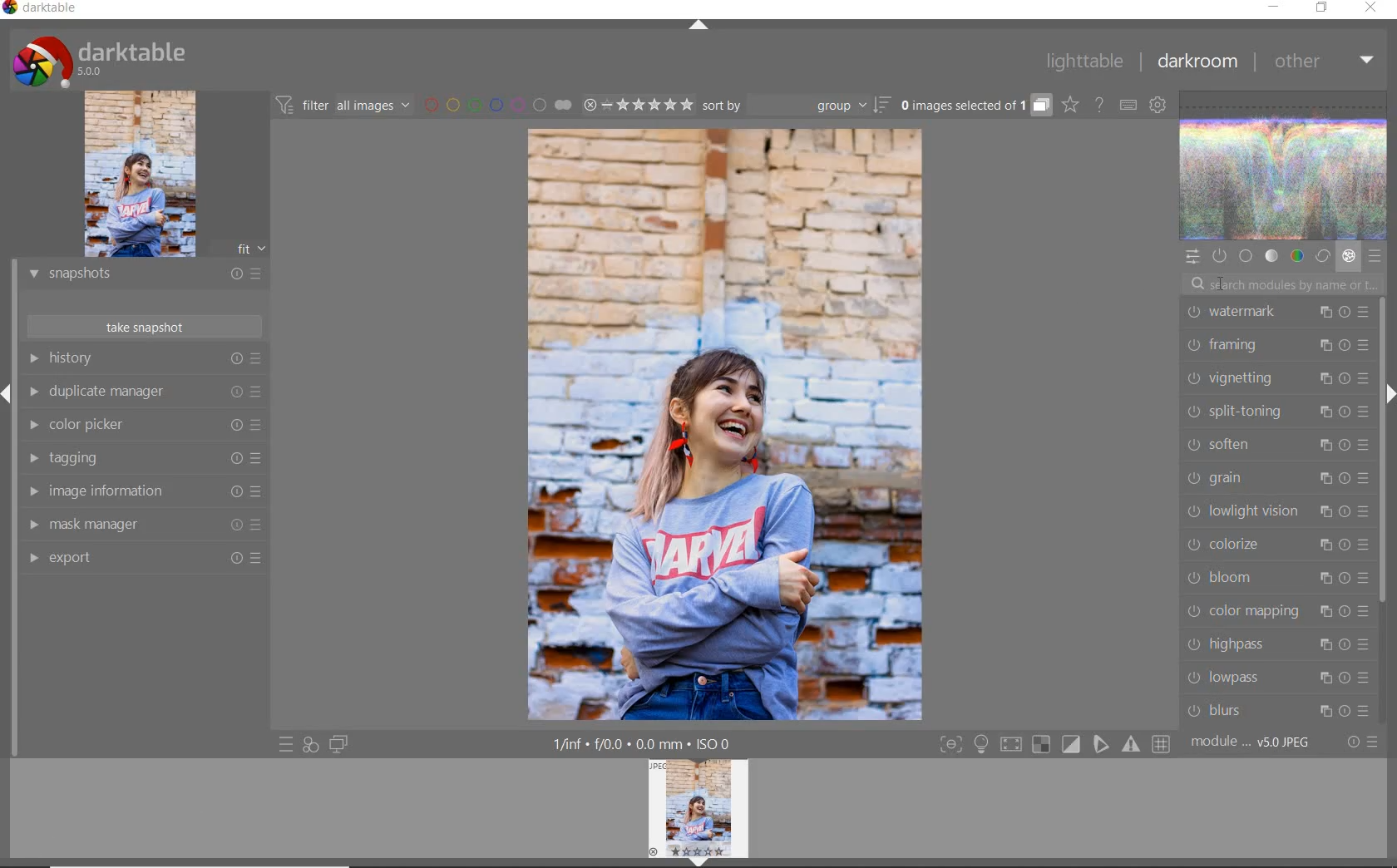 This screenshot has height=868, width=1397. What do you see at coordinates (1282, 283) in the screenshot?
I see `search modules by name` at bounding box center [1282, 283].